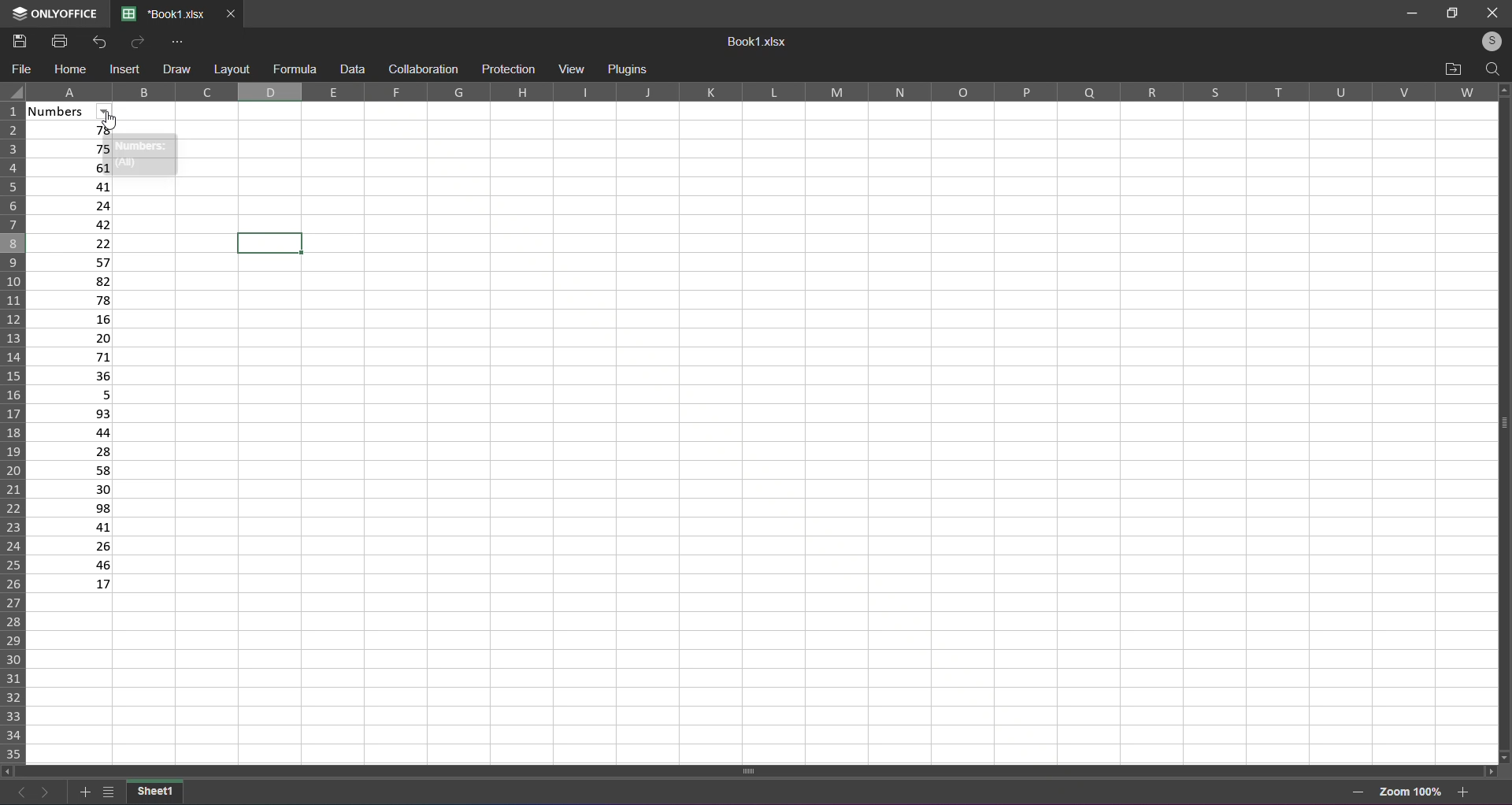 Image resolution: width=1512 pixels, height=805 pixels. I want to click on 26, so click(71, 547).